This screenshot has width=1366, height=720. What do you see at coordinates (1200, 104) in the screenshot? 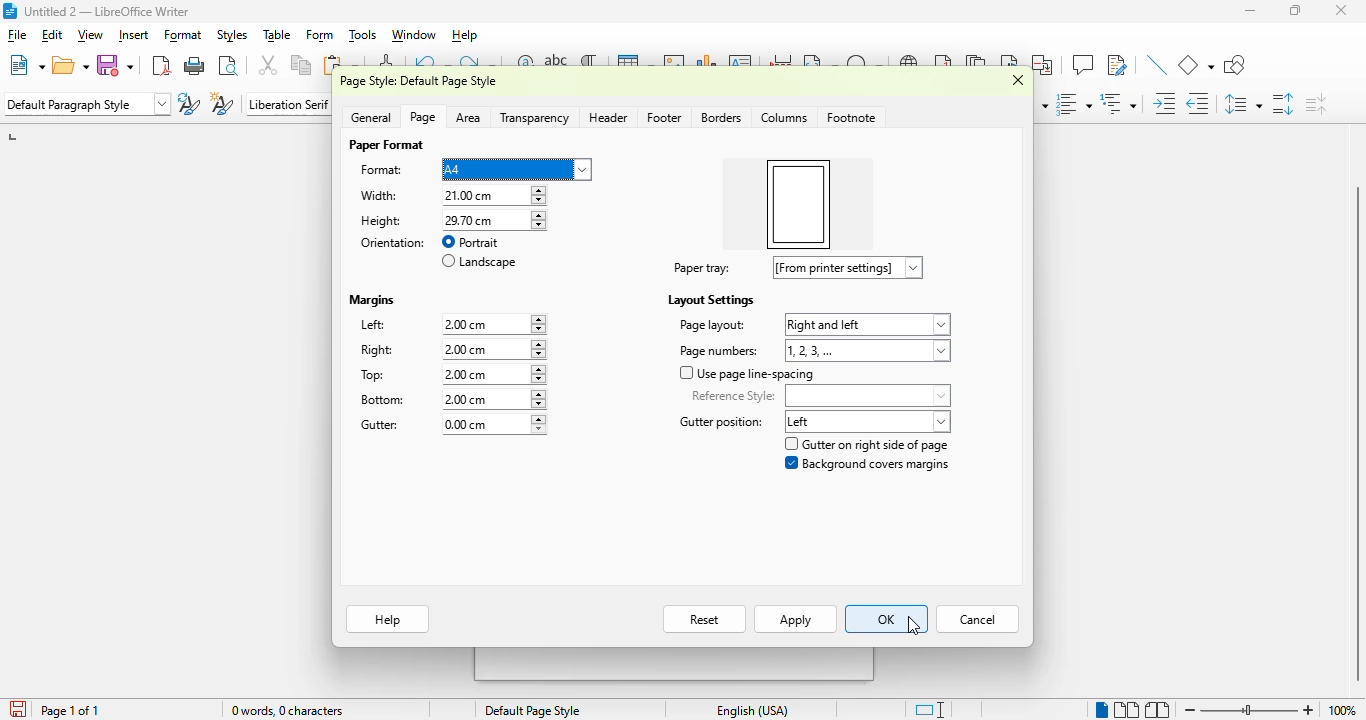
I see `decrease indent` at bounding box center [1200, 104].